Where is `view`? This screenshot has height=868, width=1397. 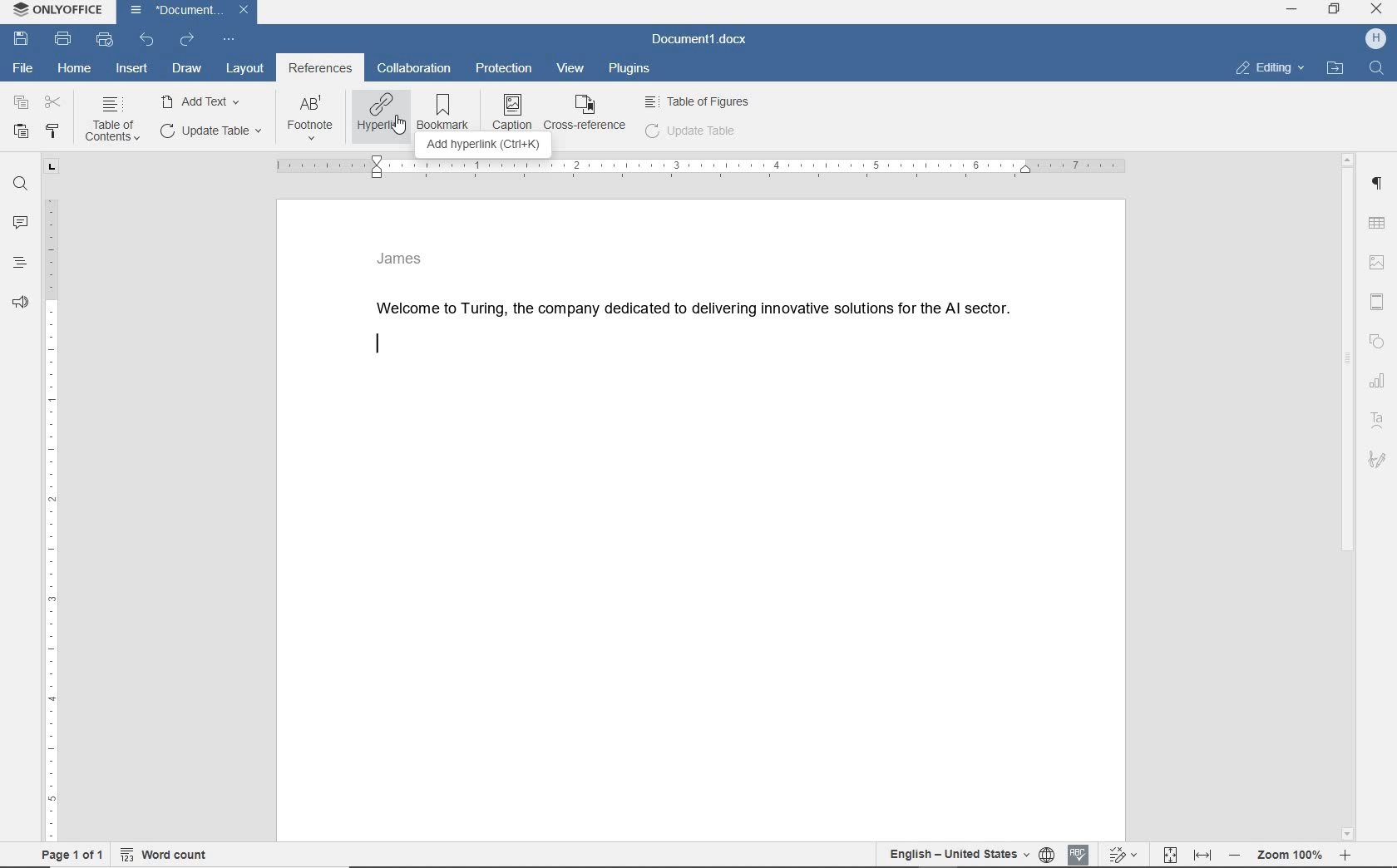 view is located at coordinates (568, 69).